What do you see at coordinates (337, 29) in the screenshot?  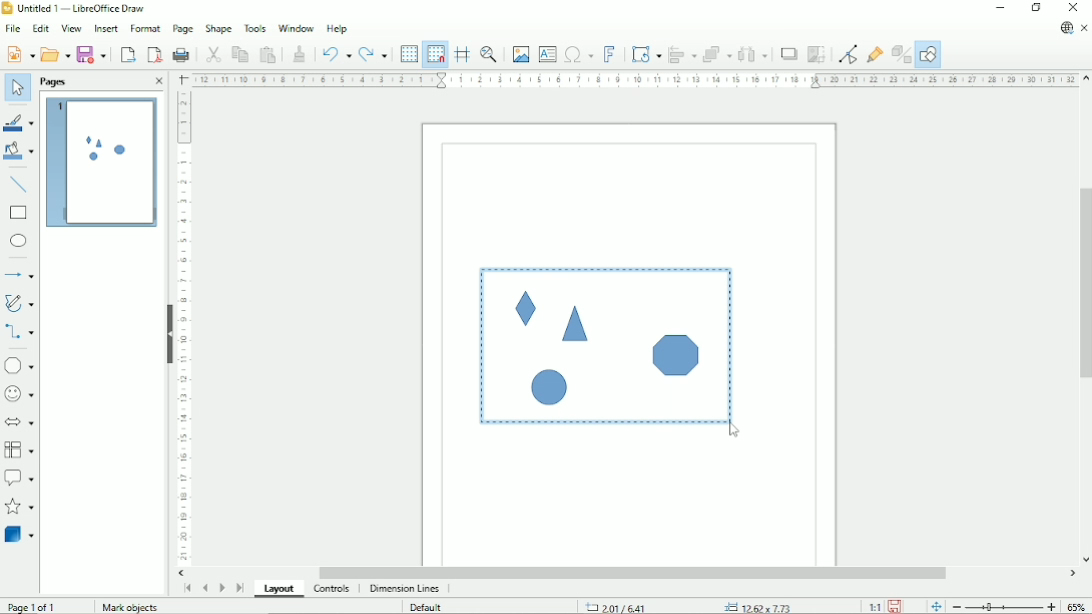 I see `Help` at bounding box center [337, 29].